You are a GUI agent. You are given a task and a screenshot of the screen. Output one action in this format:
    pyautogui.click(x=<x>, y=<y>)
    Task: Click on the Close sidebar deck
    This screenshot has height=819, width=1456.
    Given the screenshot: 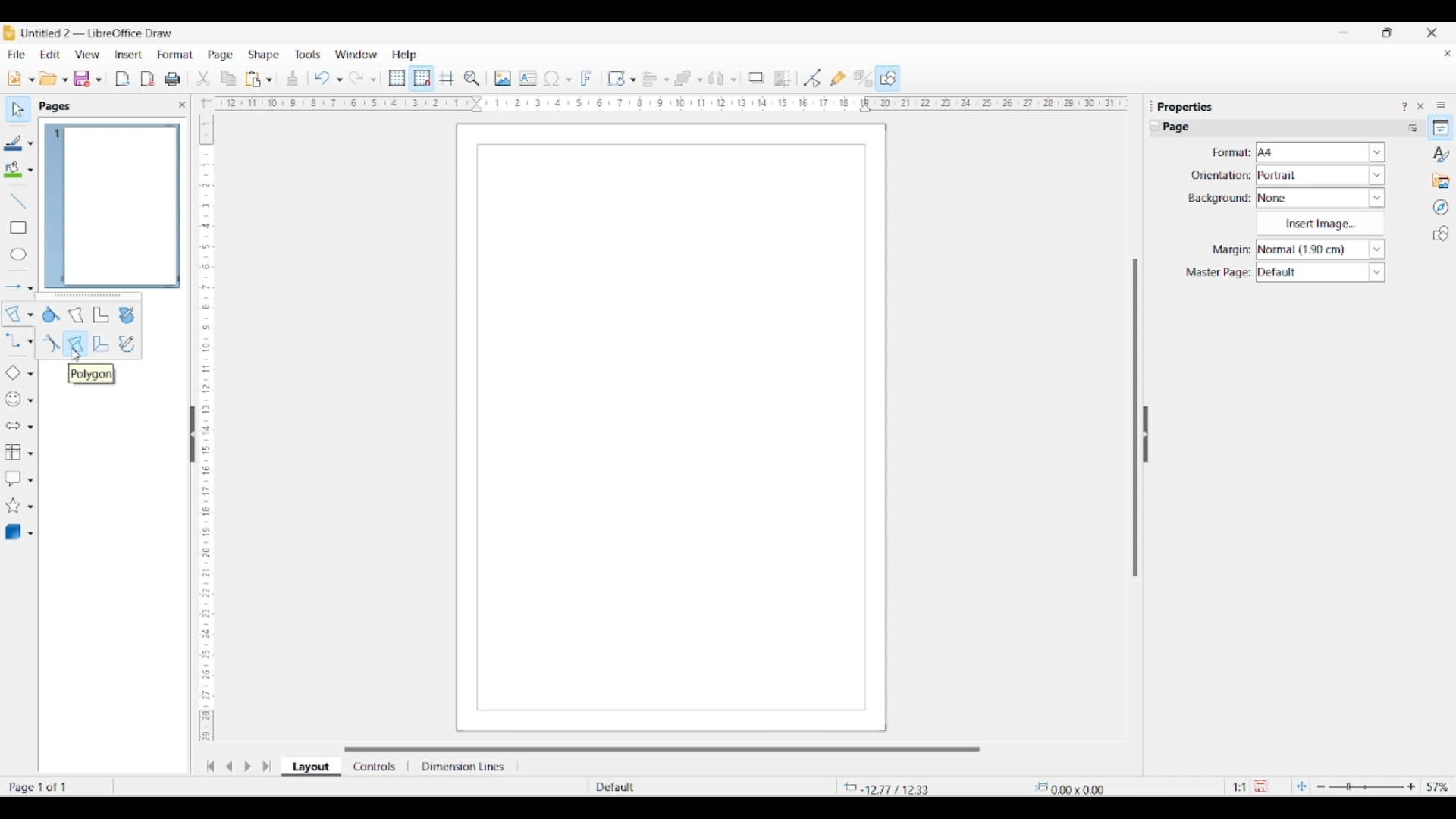 What is the action you would take?
    pyautogui.click(x=1420, y=106)
    